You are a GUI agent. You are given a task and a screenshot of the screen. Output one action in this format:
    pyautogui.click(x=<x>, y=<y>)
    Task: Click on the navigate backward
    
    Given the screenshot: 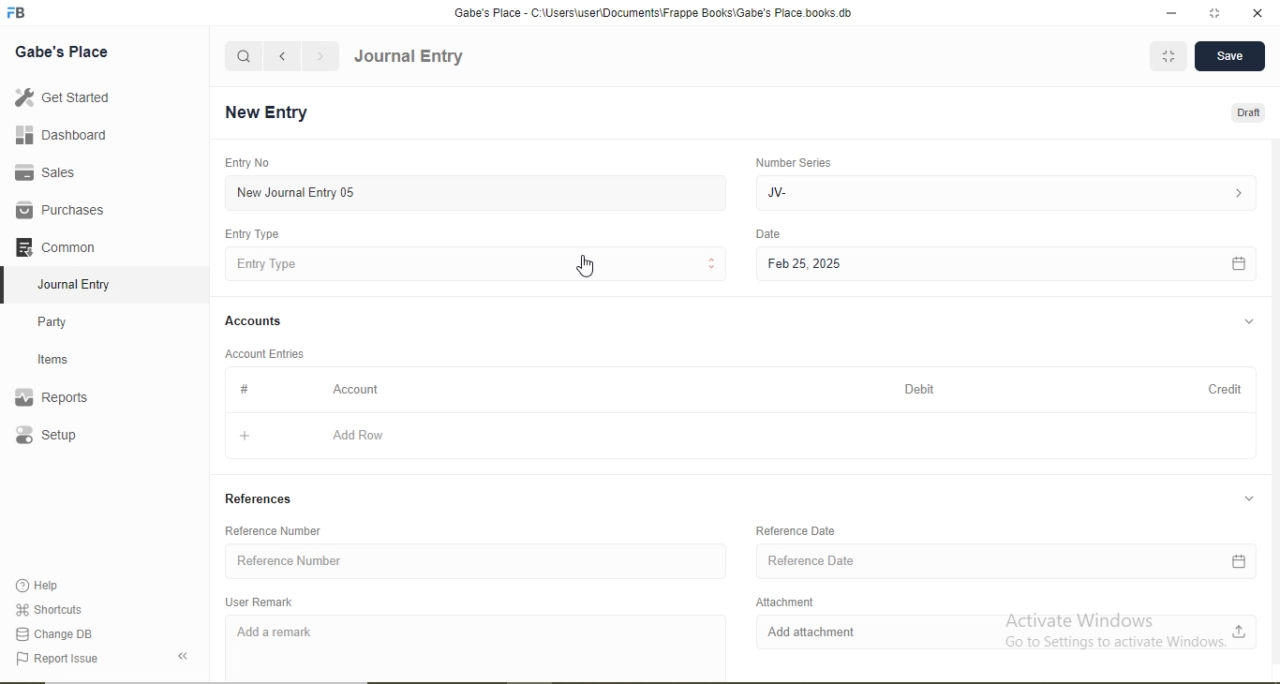 What is the action you would take?
    pyautogui.click(x=281, y=56)
    